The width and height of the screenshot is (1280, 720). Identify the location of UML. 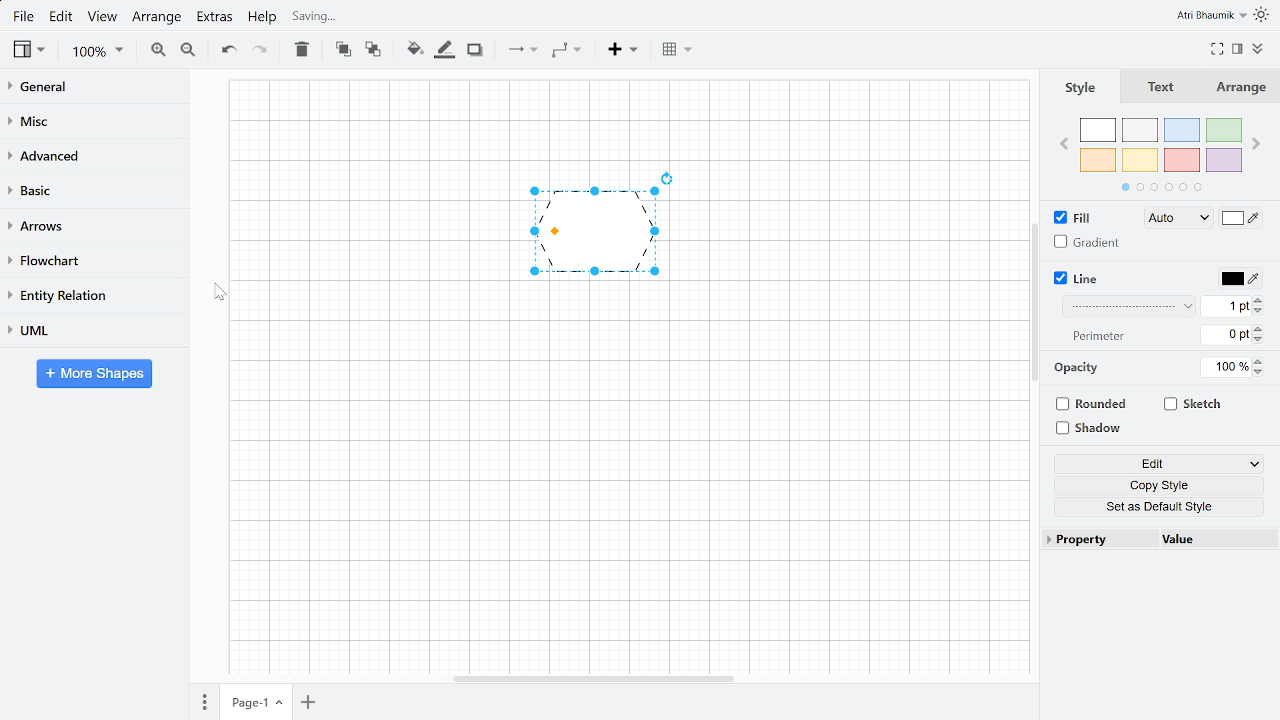
(90, 331).